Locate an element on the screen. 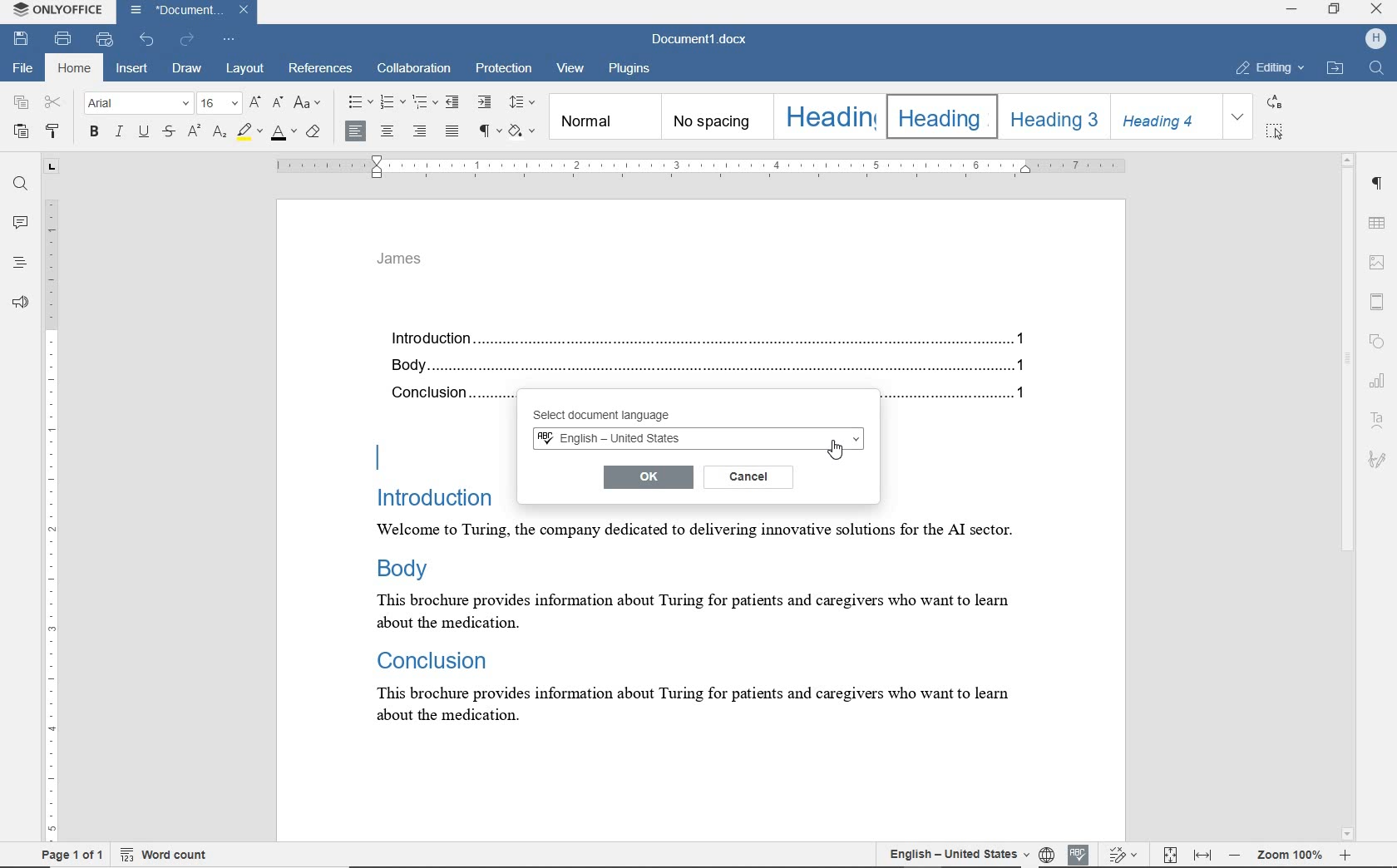  ruler is located at coordinates (52, 504).